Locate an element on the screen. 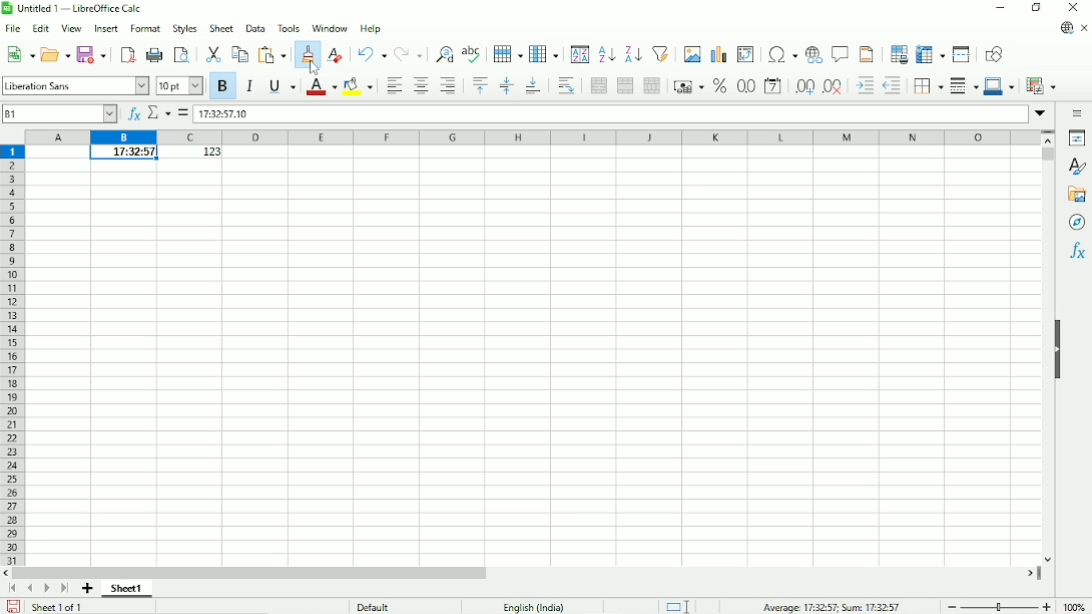  New is located at coordinates (21, 56).